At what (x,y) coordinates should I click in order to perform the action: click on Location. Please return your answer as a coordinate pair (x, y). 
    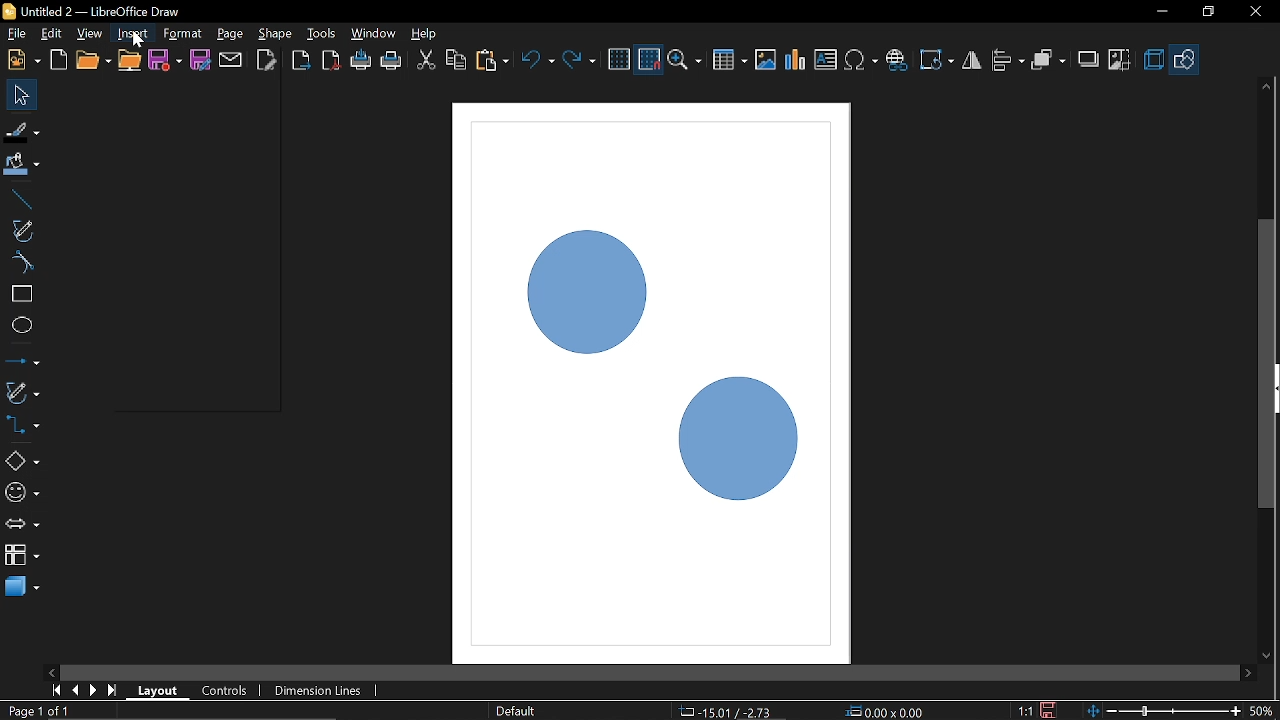
    Looking at the image, I should click on (723, 710).